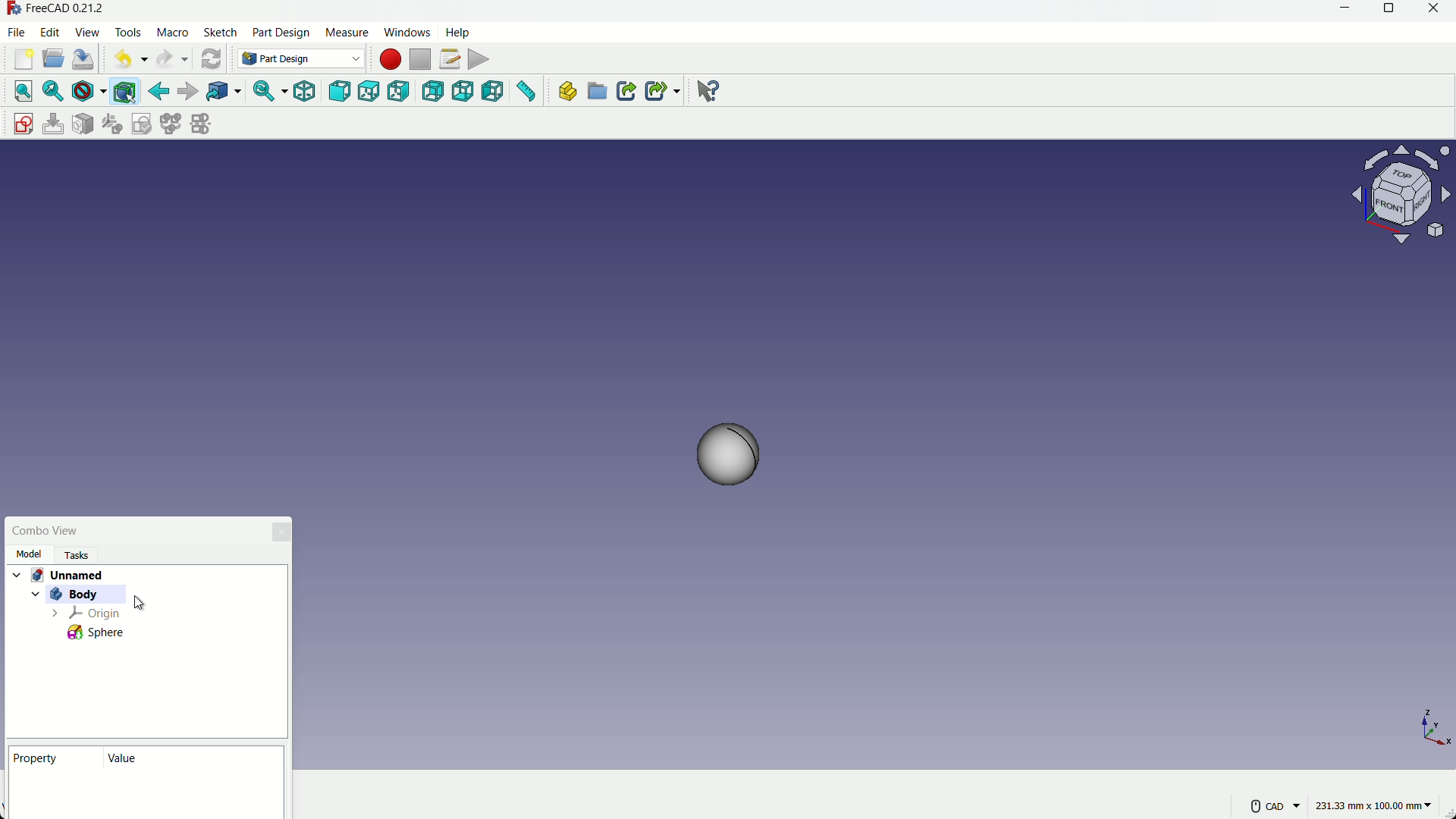 The height and width of the screenshot is (819, 1456). I want to click on link object, so click(224, 92).